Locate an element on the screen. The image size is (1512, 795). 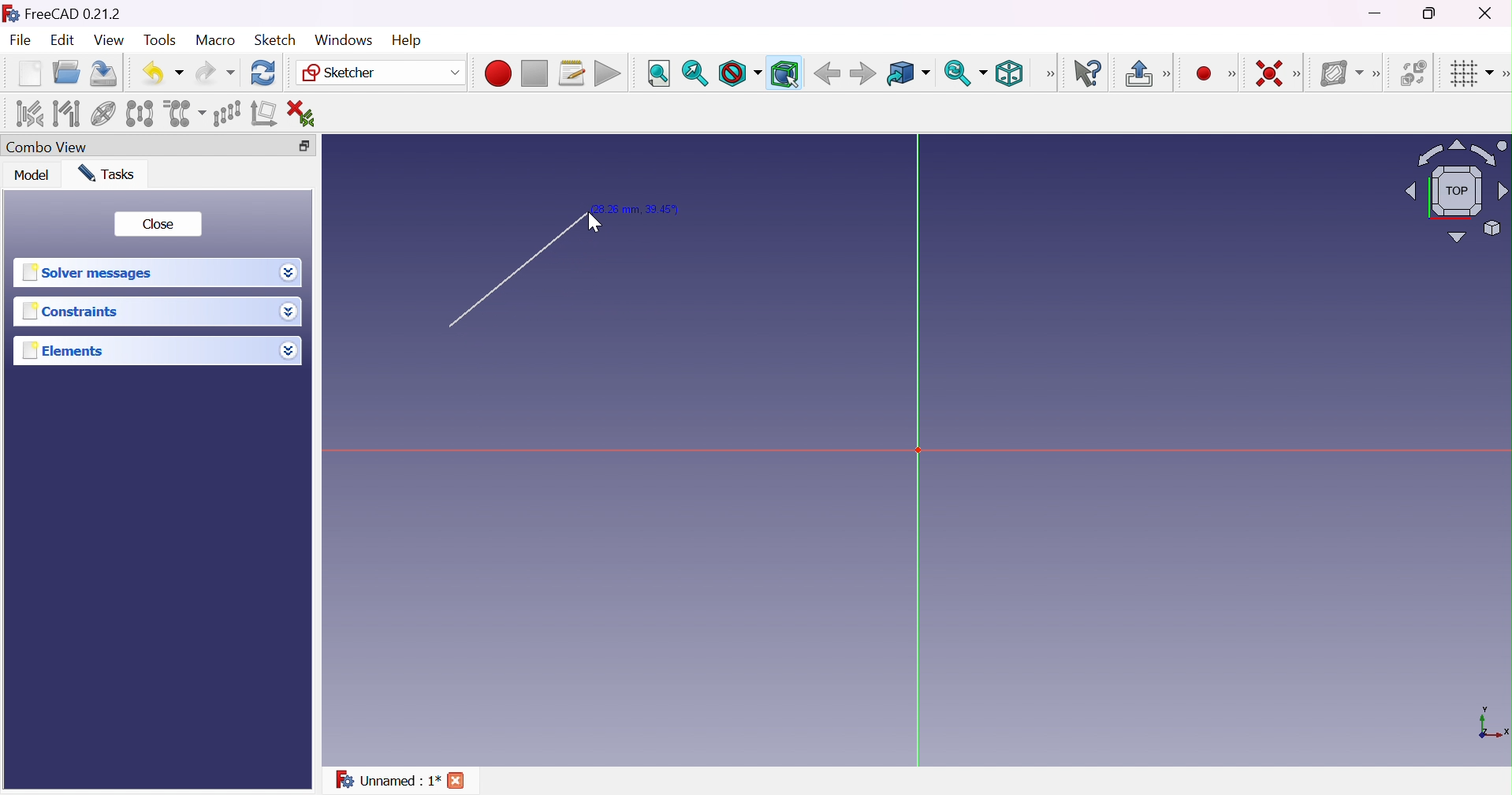
 is located at coordinates (1138, 73).